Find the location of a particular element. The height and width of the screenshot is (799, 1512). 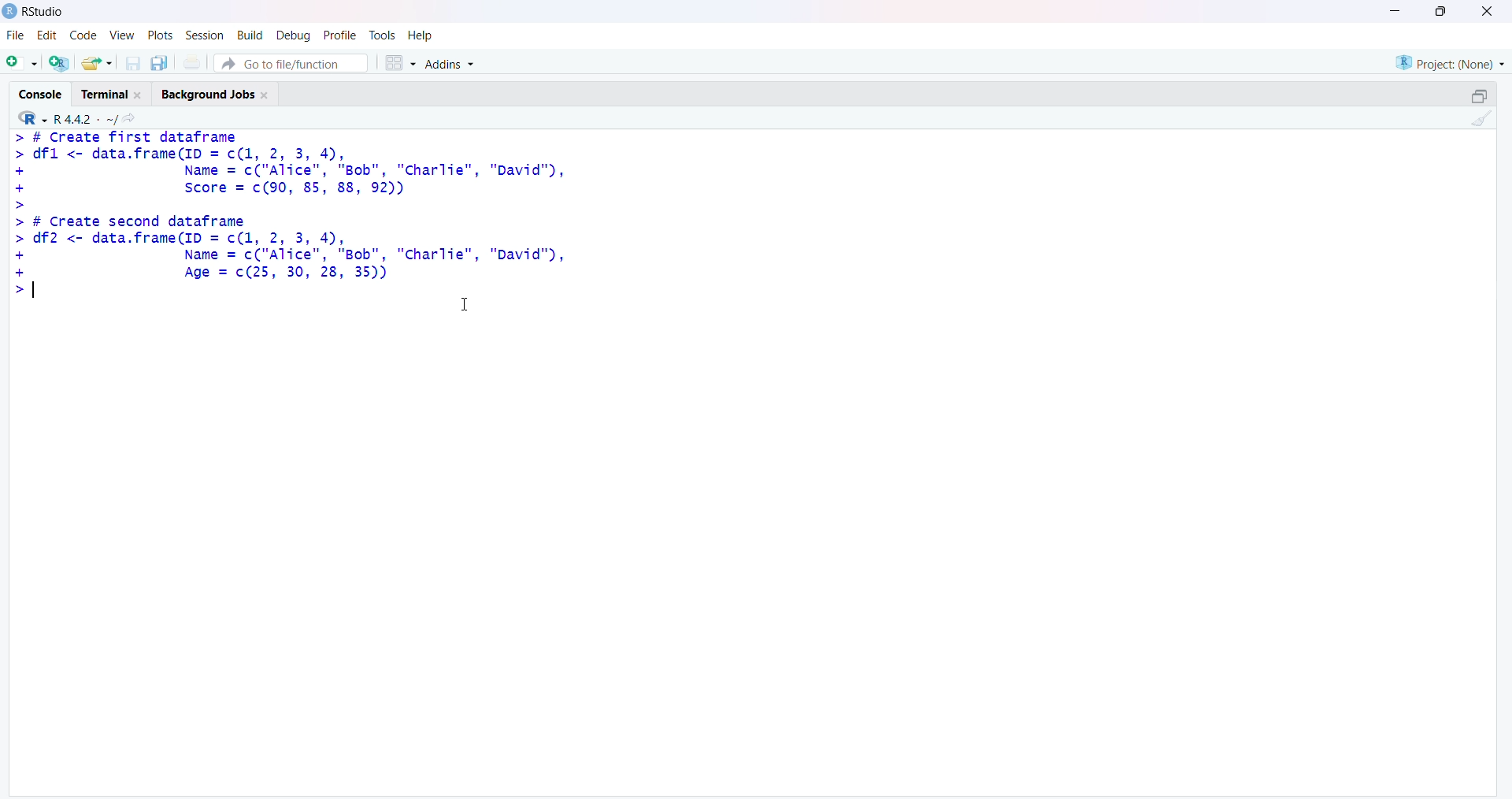

cursor is located at coordinates (465, 305).